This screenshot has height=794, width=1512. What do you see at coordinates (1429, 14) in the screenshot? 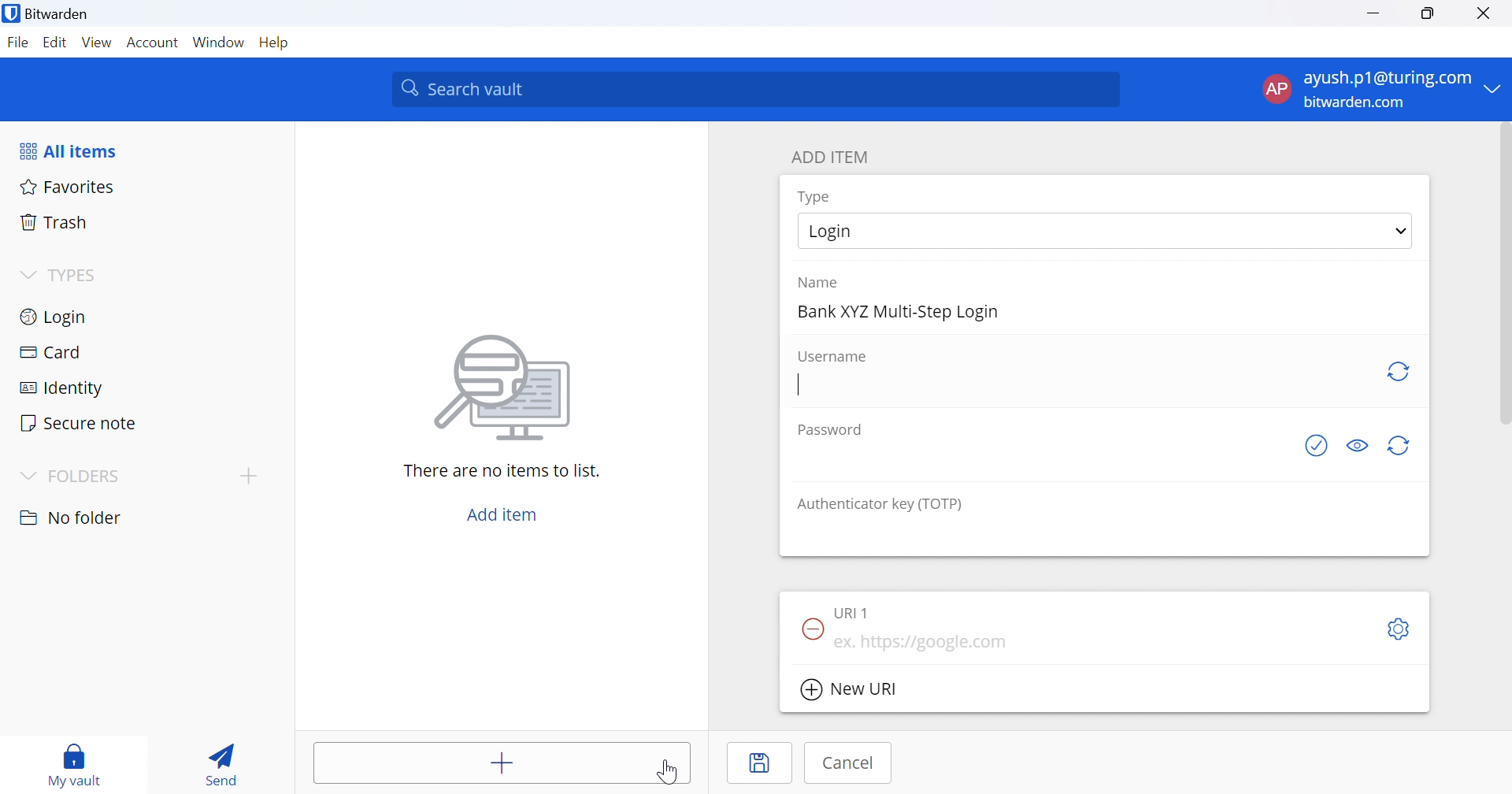
I see `Restore Down` at bounding box center [1429, 14].